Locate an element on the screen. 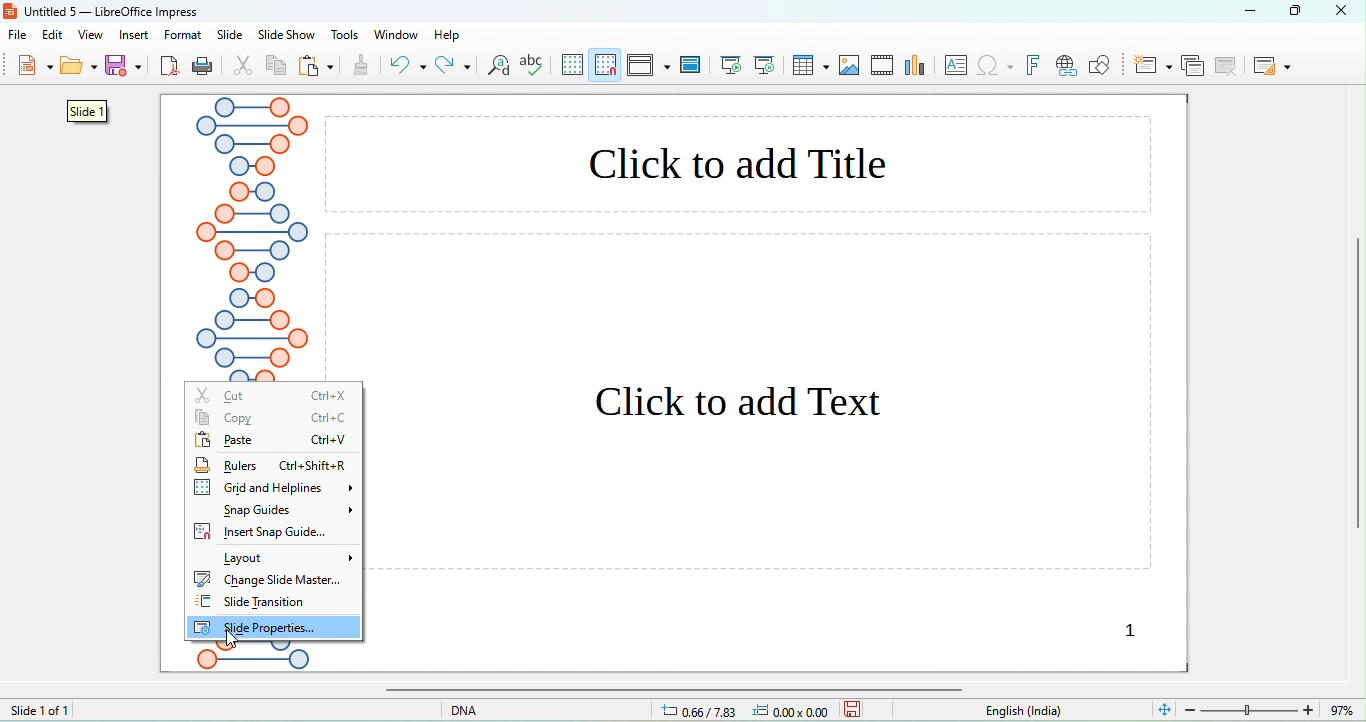  slide1 dialog box is located at coordinates (84, 112).